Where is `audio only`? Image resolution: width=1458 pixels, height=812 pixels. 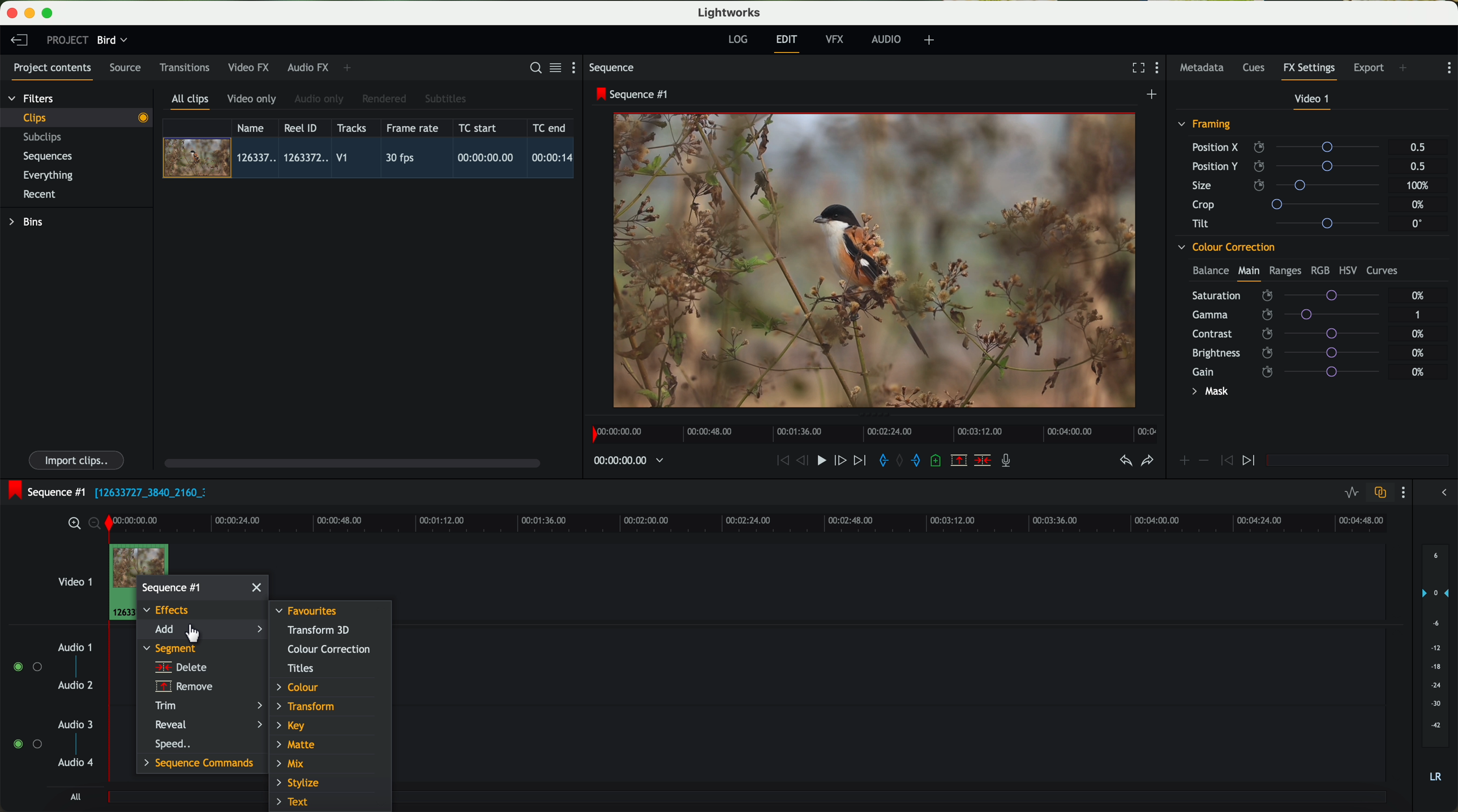
audio only is located at coordinates (320, 99).